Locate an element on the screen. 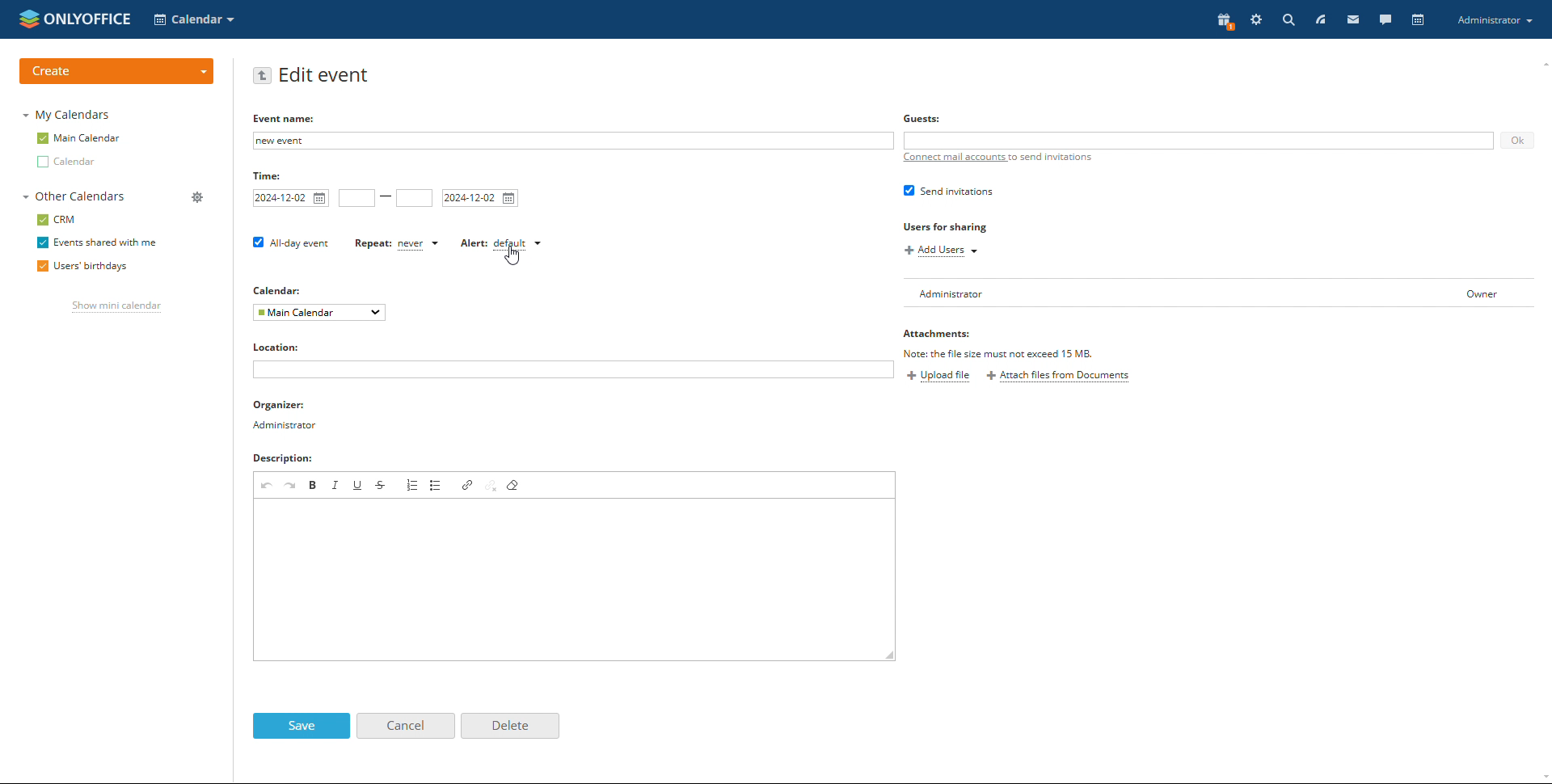 The height and width of the screenshot is (784, 1552). search is located at coordinates (1290, 20).